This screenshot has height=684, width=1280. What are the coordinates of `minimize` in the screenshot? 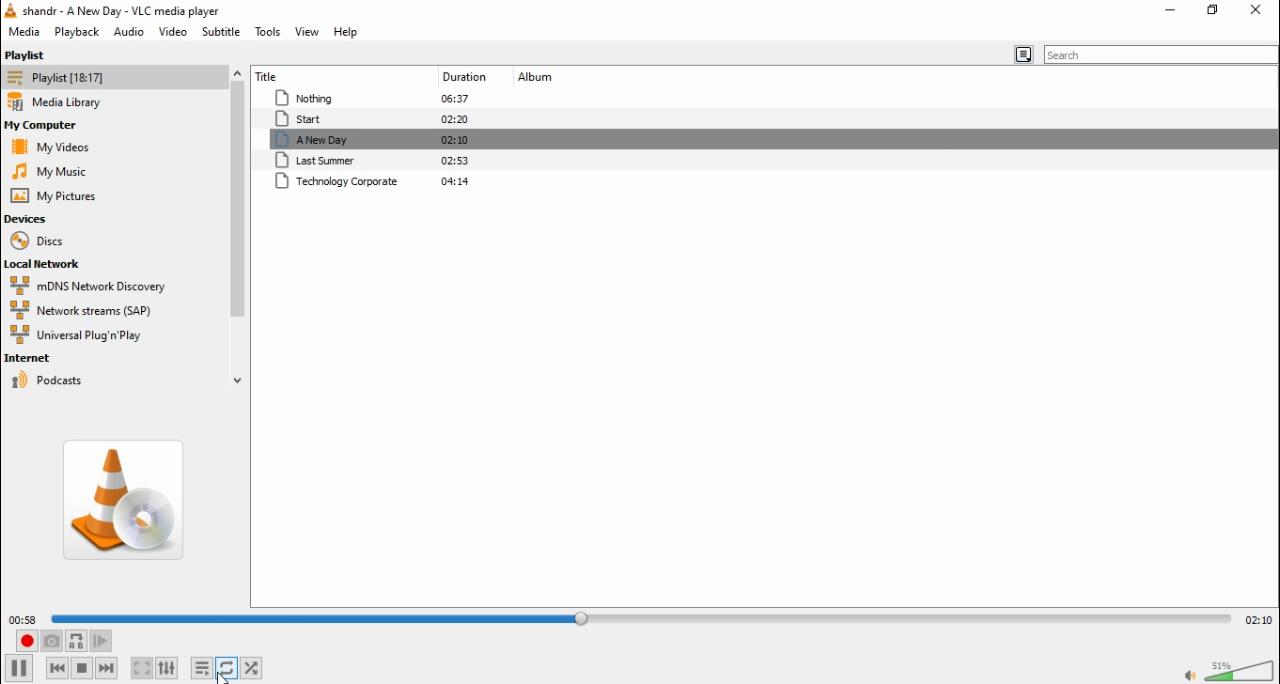 It's located at (1172, 9).